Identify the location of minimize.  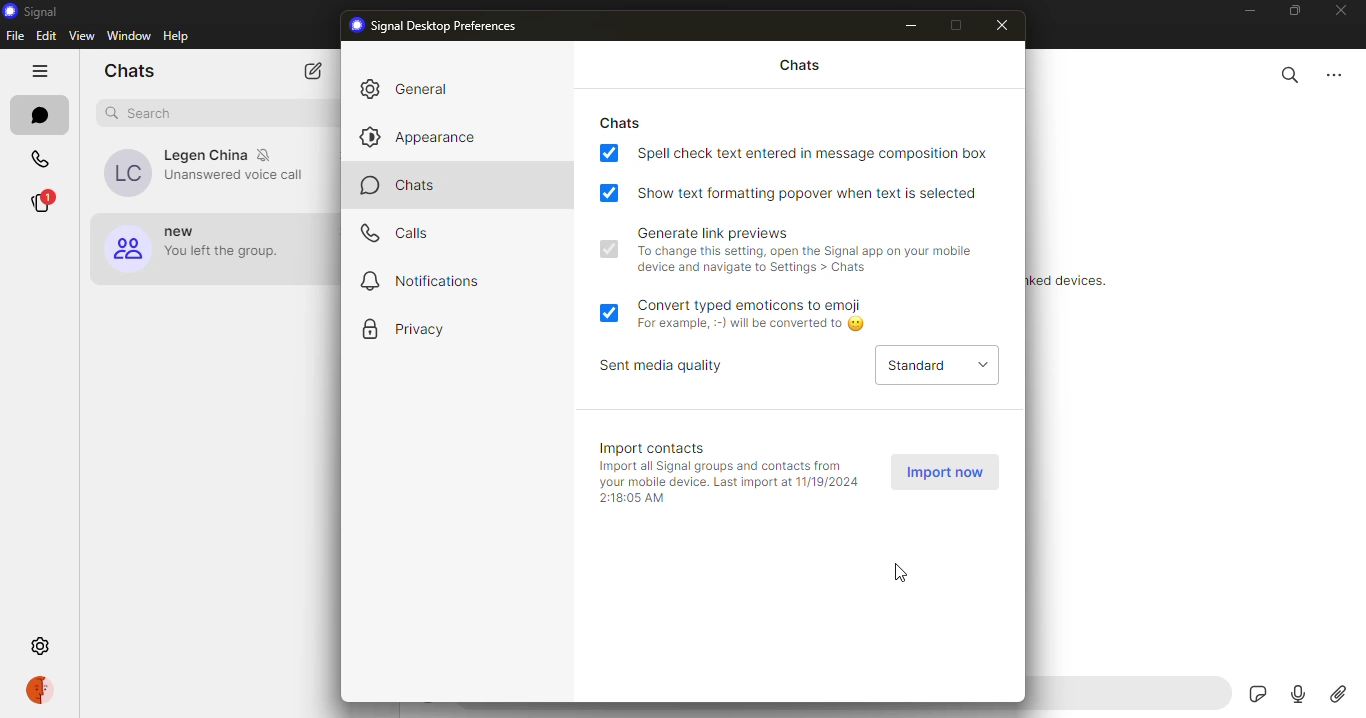
(910, 26).